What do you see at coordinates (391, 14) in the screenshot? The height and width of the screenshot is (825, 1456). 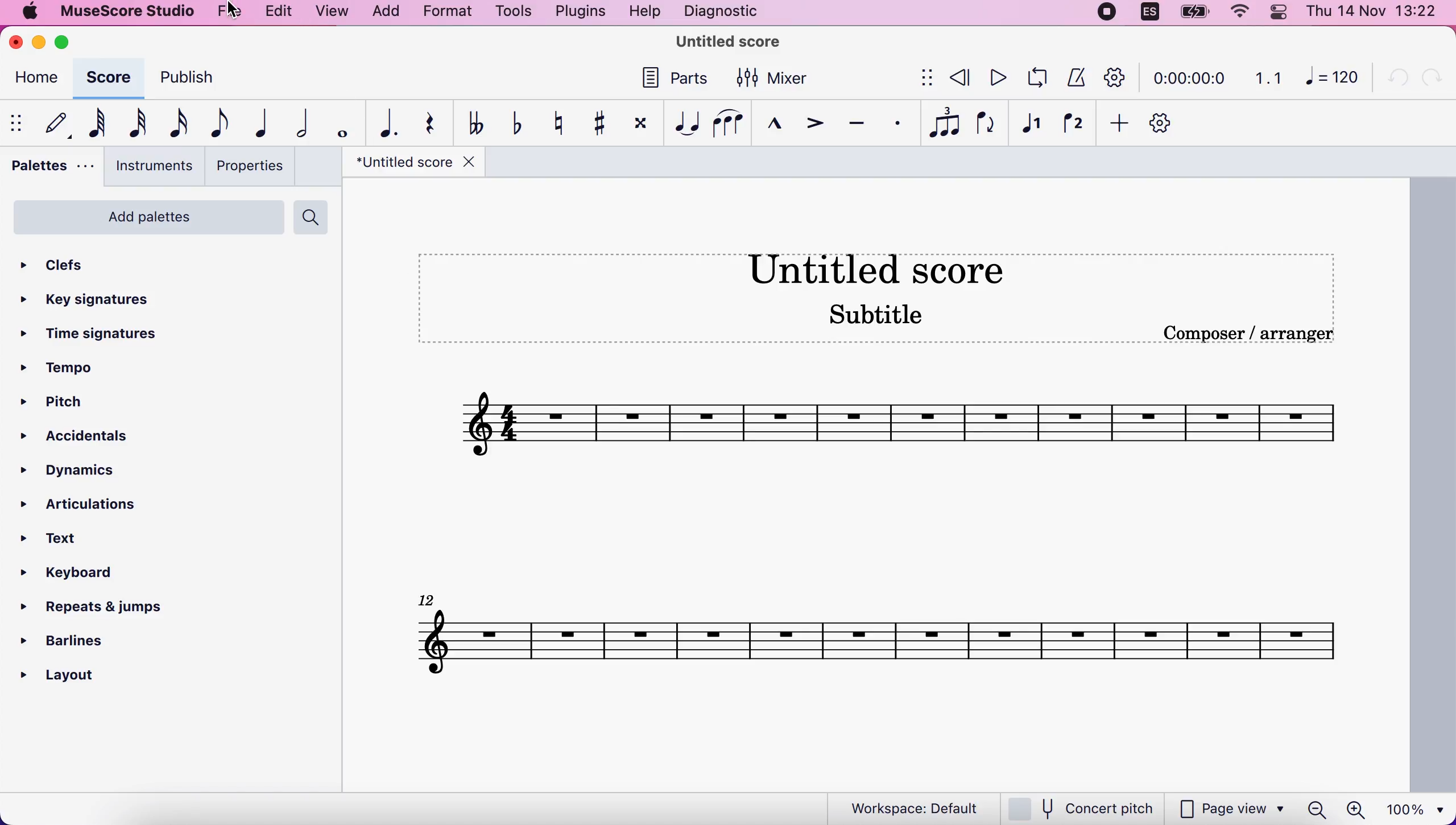 I see `add` at bounding box center [391, 14].